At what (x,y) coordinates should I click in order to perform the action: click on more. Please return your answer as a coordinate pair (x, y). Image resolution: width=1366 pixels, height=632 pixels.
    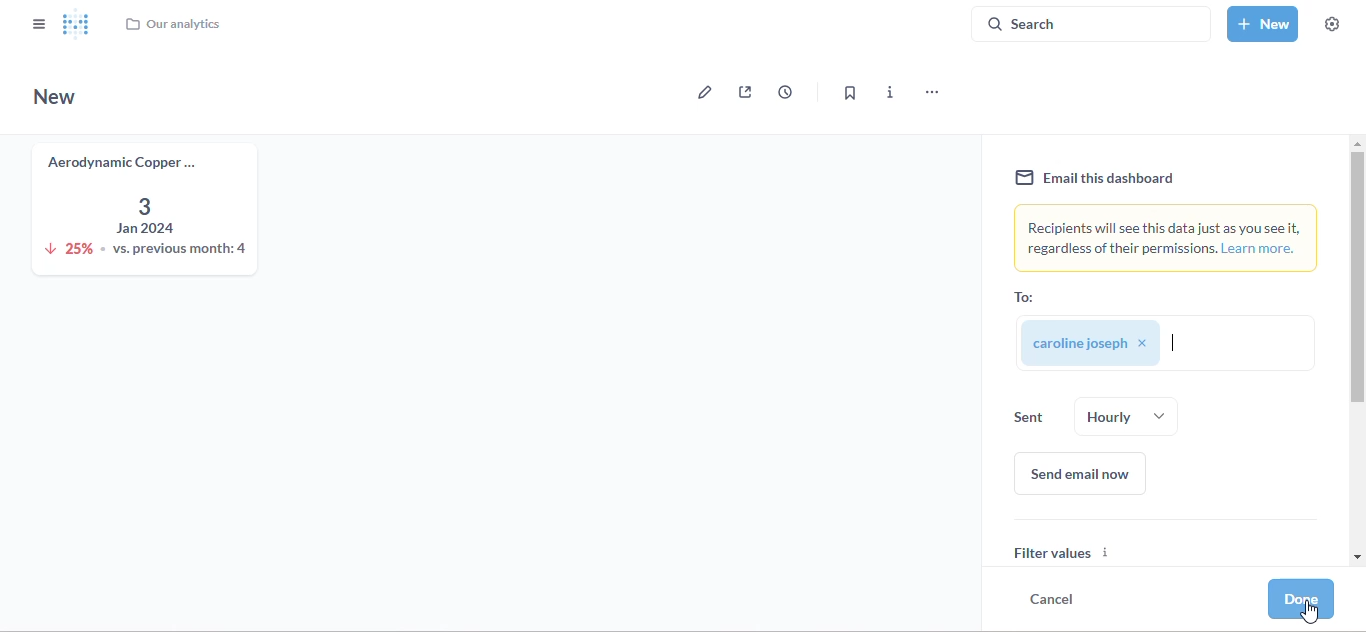
    Looking at the image, I should click on (930, 93).